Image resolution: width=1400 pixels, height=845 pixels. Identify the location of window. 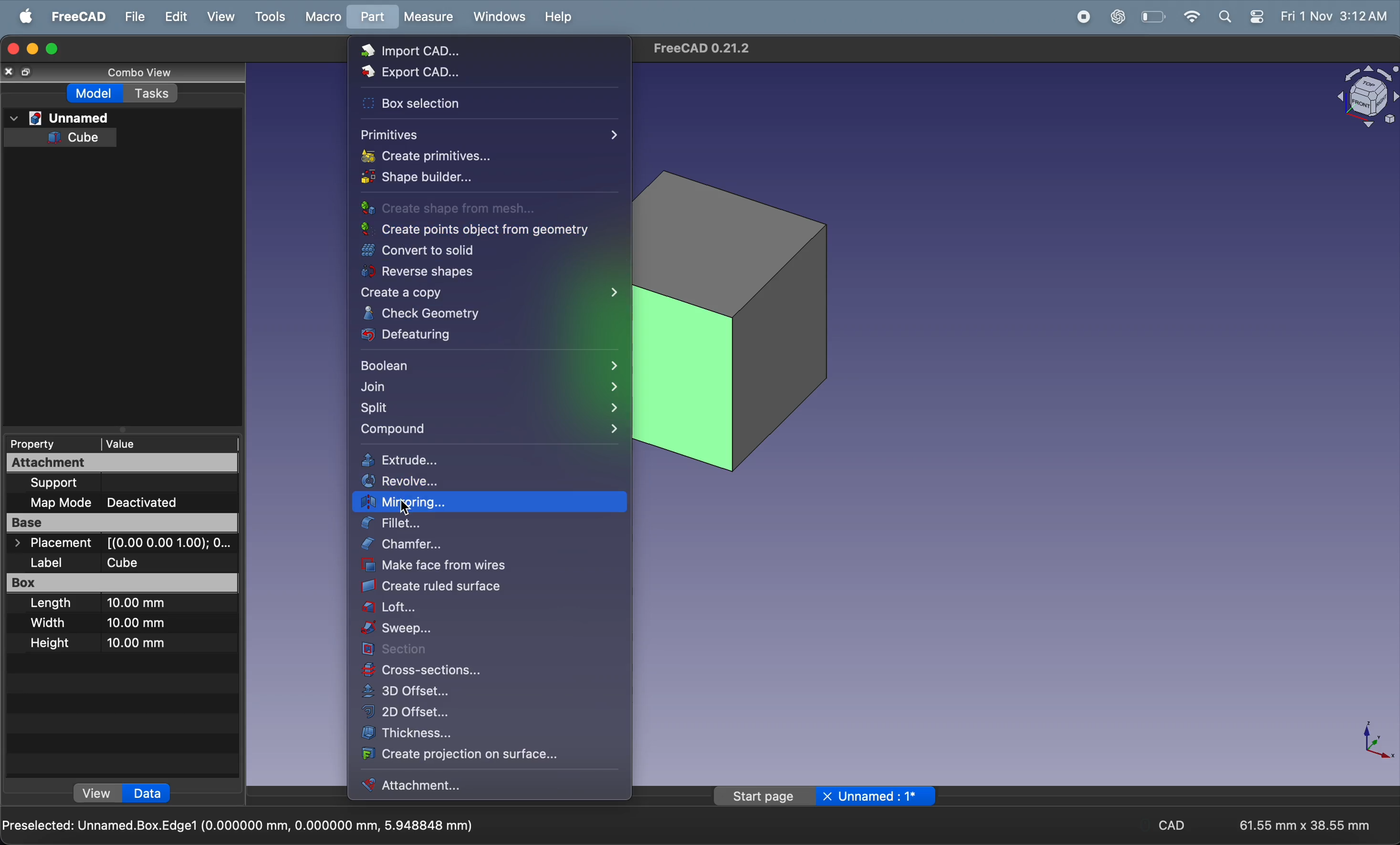
(497, 17).